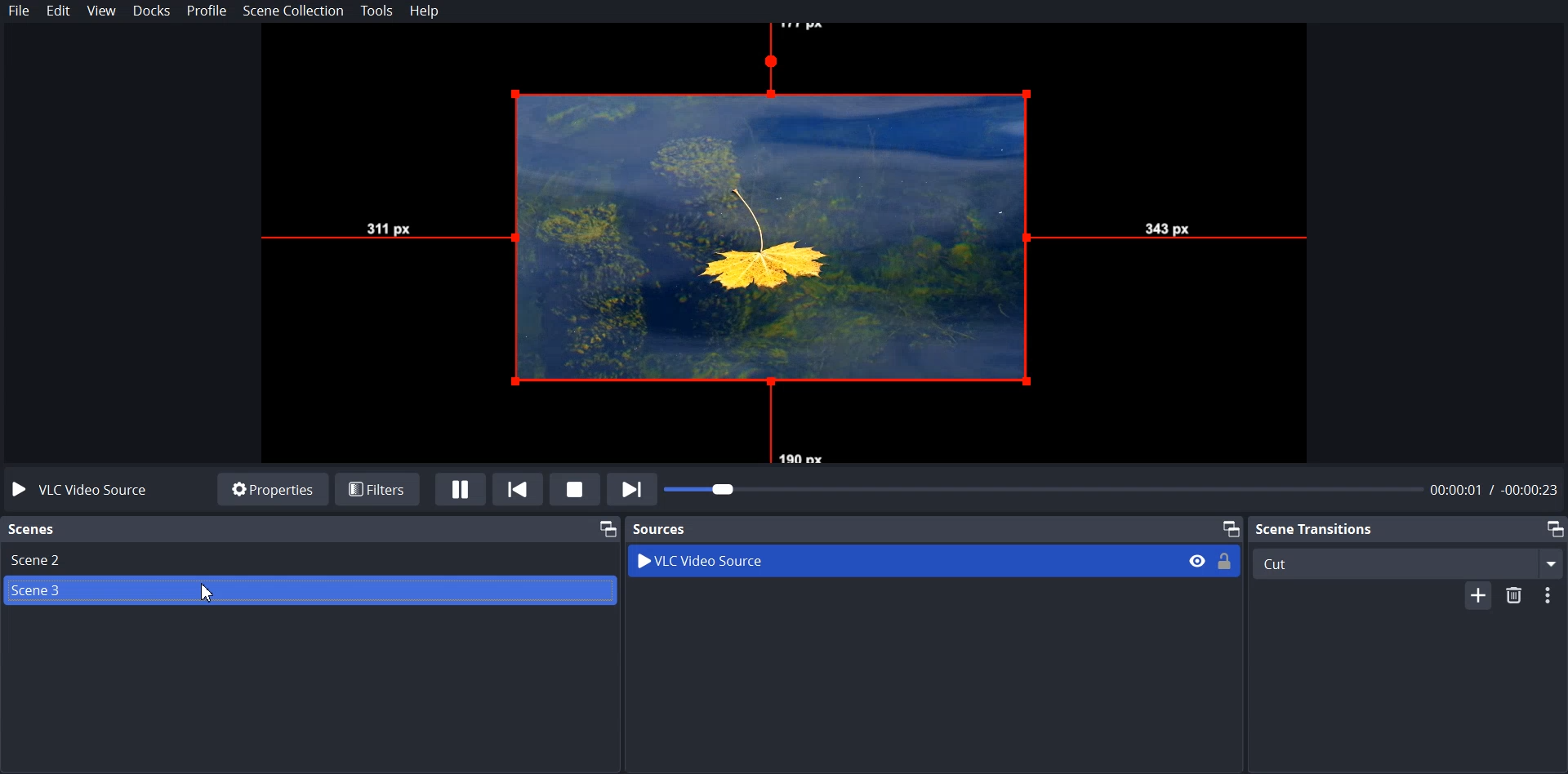 The image size is (1568, 774). I want to click on Source 2, so click(310, 559).